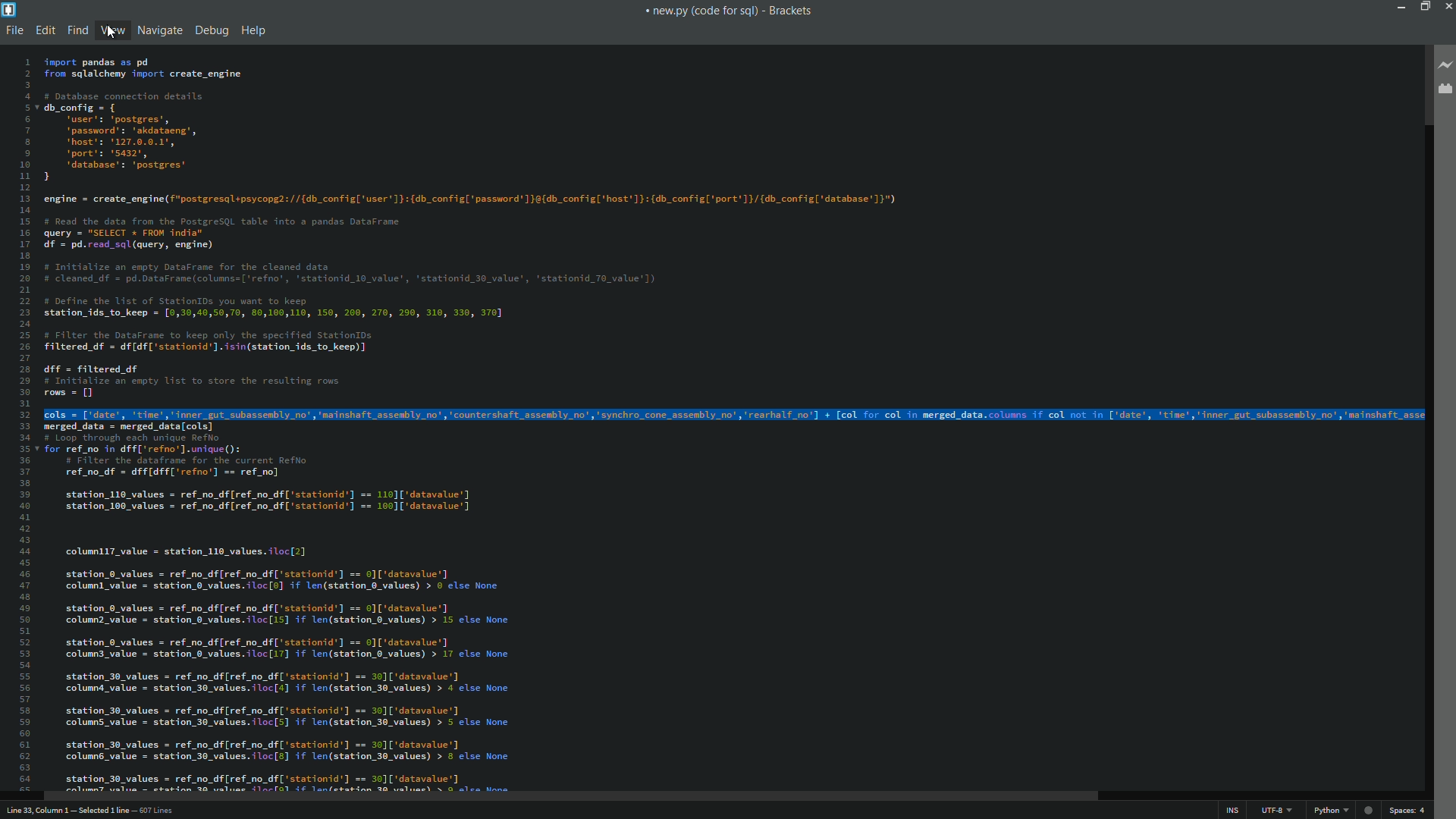  I want to click on line is selected, so click(733, 414).